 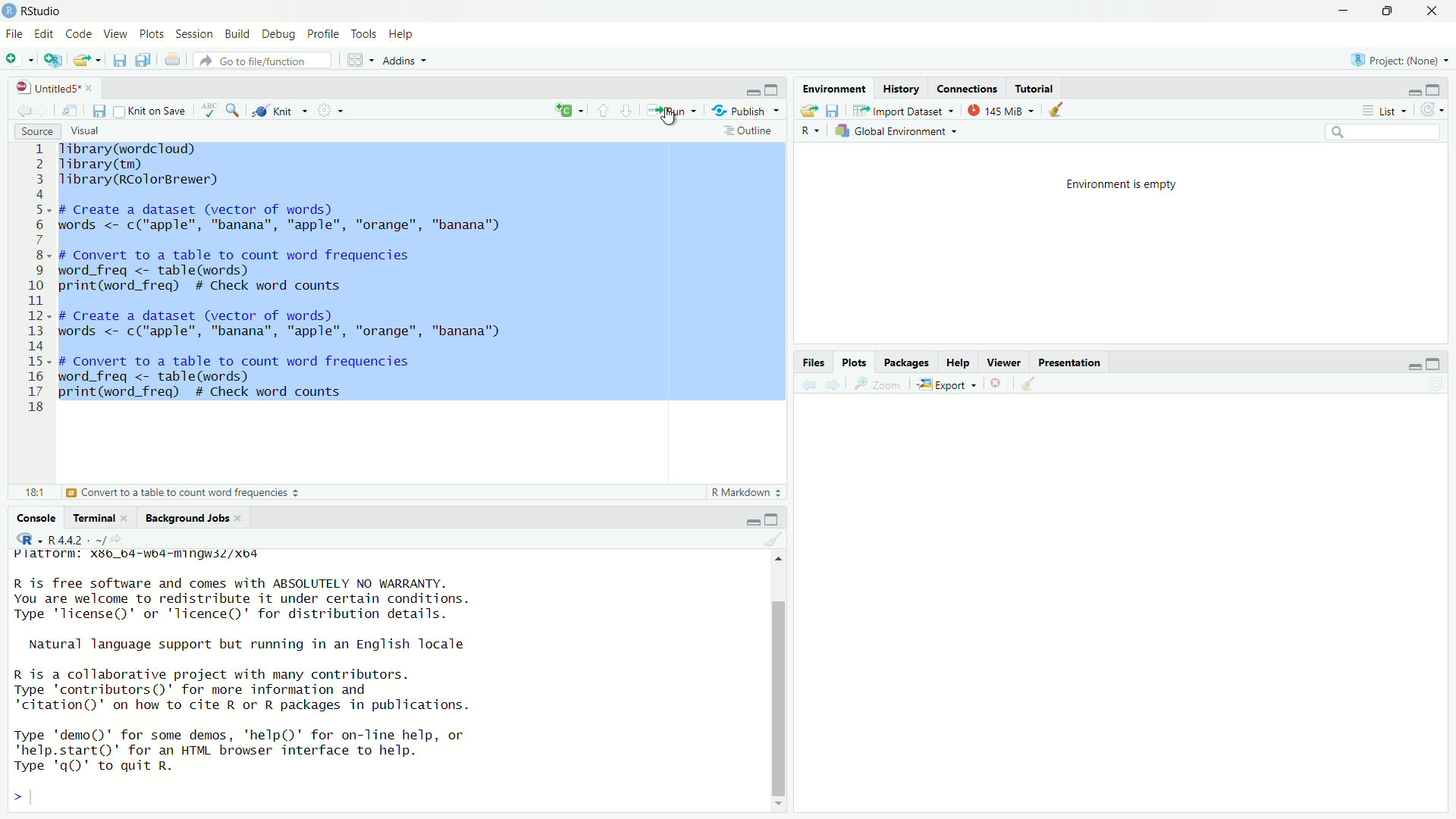 What do you see at coordinates (45, 33) in the screenshot?
I see `Edit` at bounding box center [45, 33].